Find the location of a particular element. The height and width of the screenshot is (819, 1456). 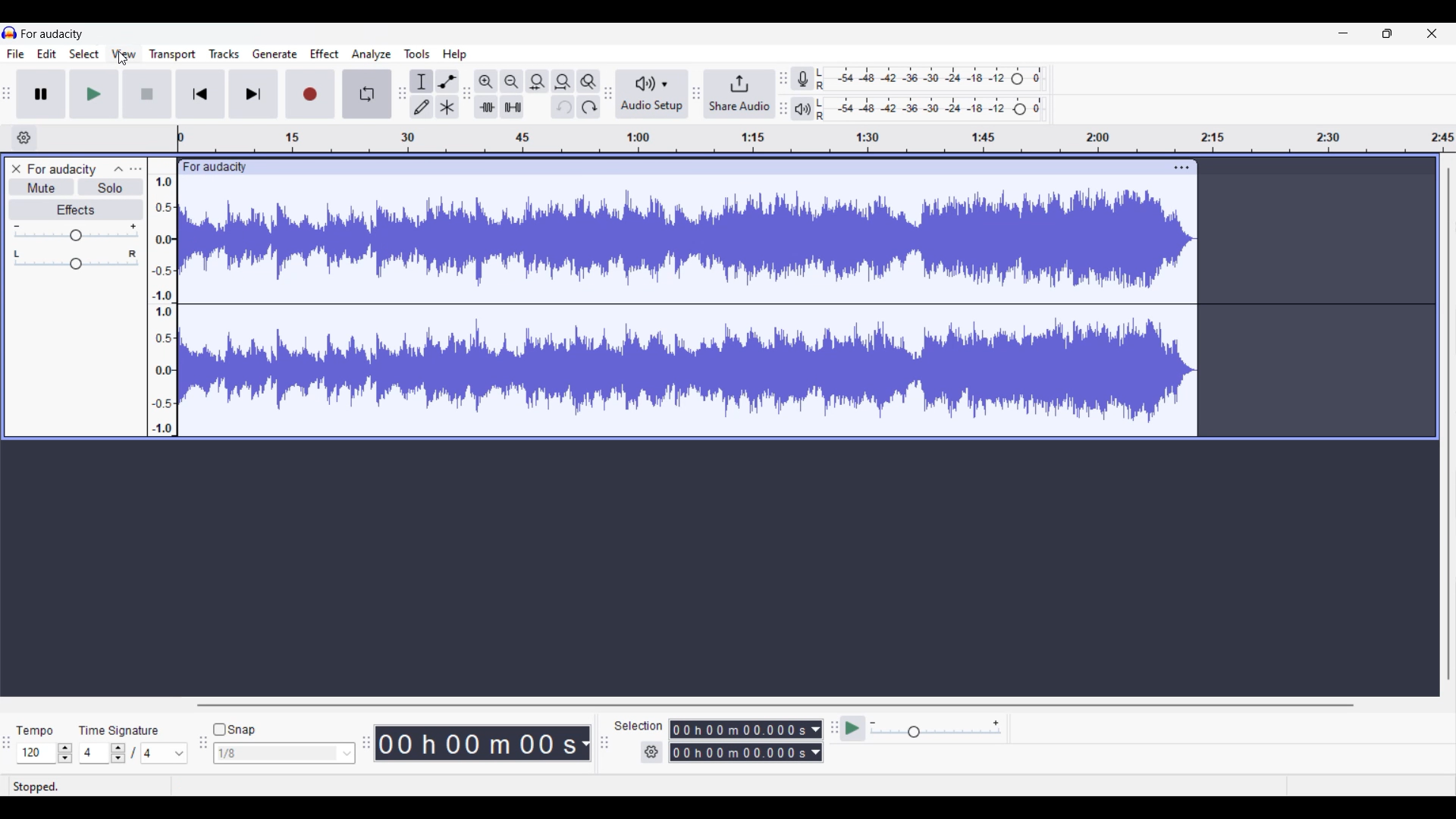

Skip/Select to end is located at coordinates (253, 94).